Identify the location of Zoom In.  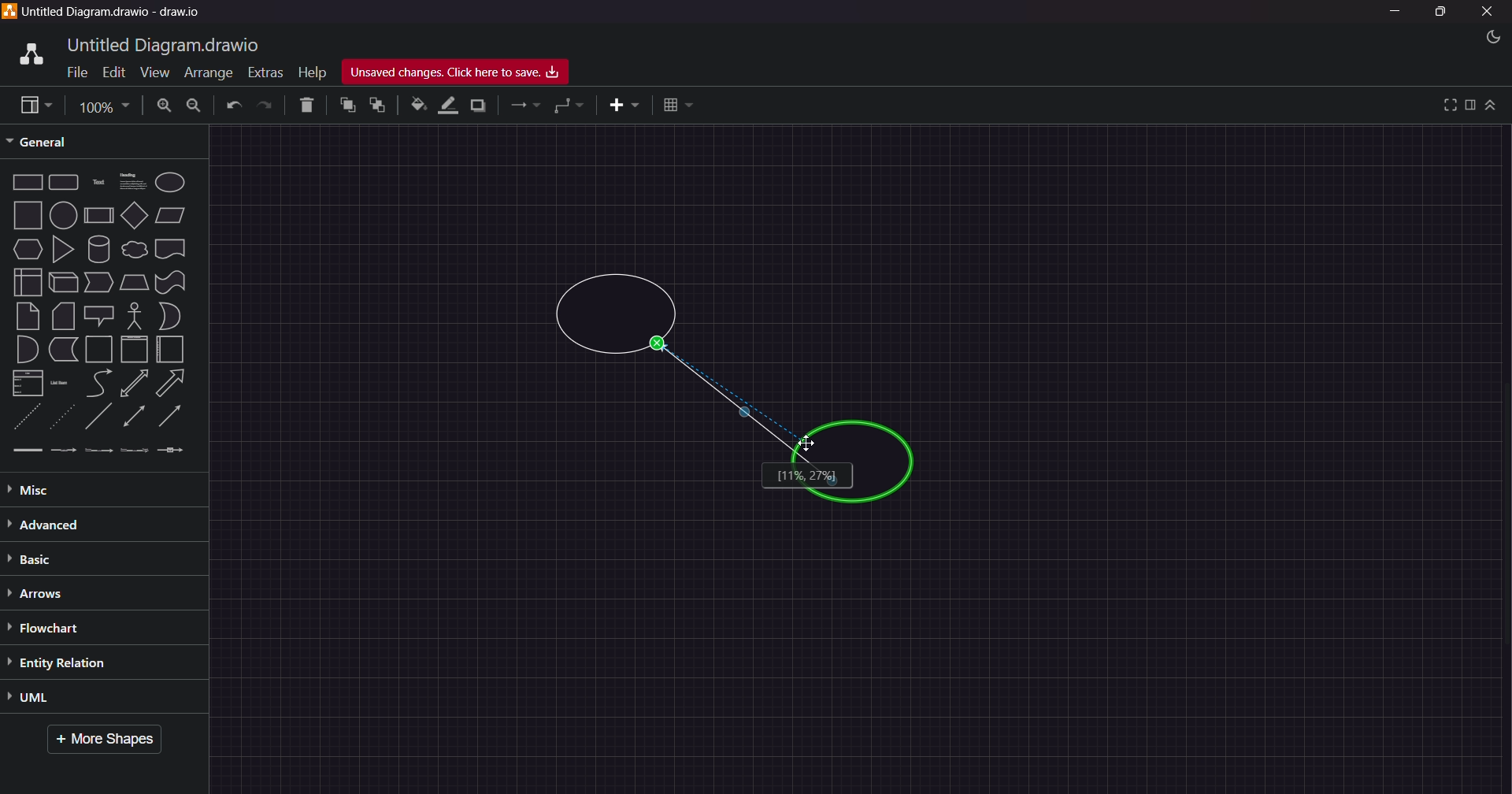
(165, 105).